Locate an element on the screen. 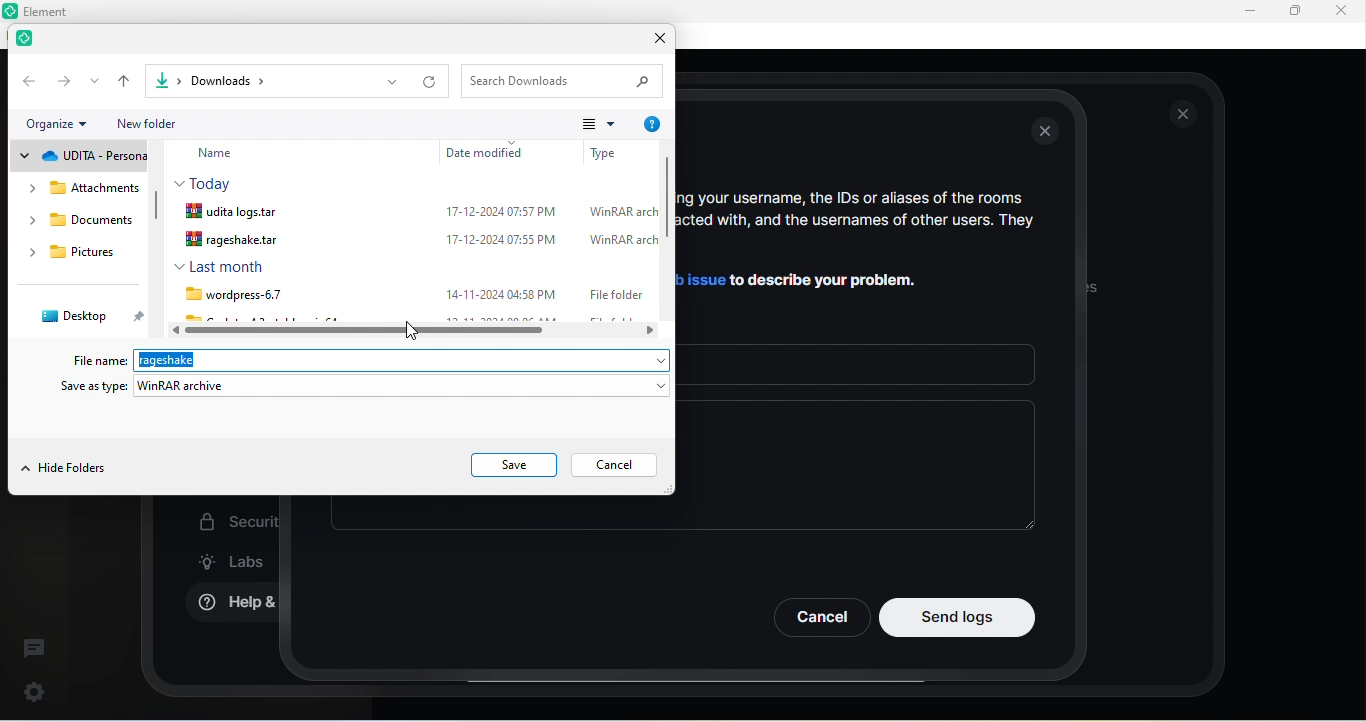  close is located at coordinates (1184, 114).